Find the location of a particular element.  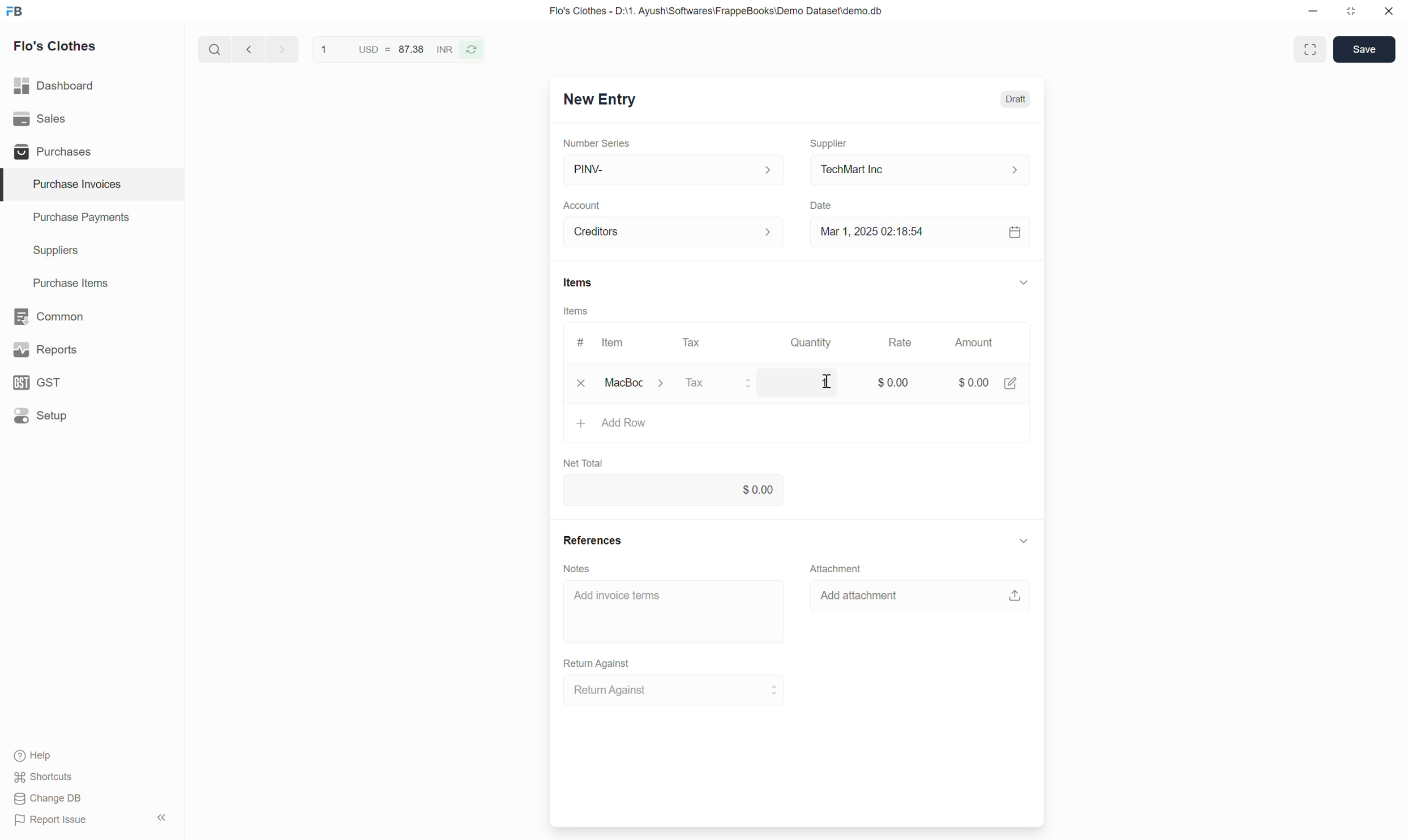

Rate is located at coordinates (900, 342).